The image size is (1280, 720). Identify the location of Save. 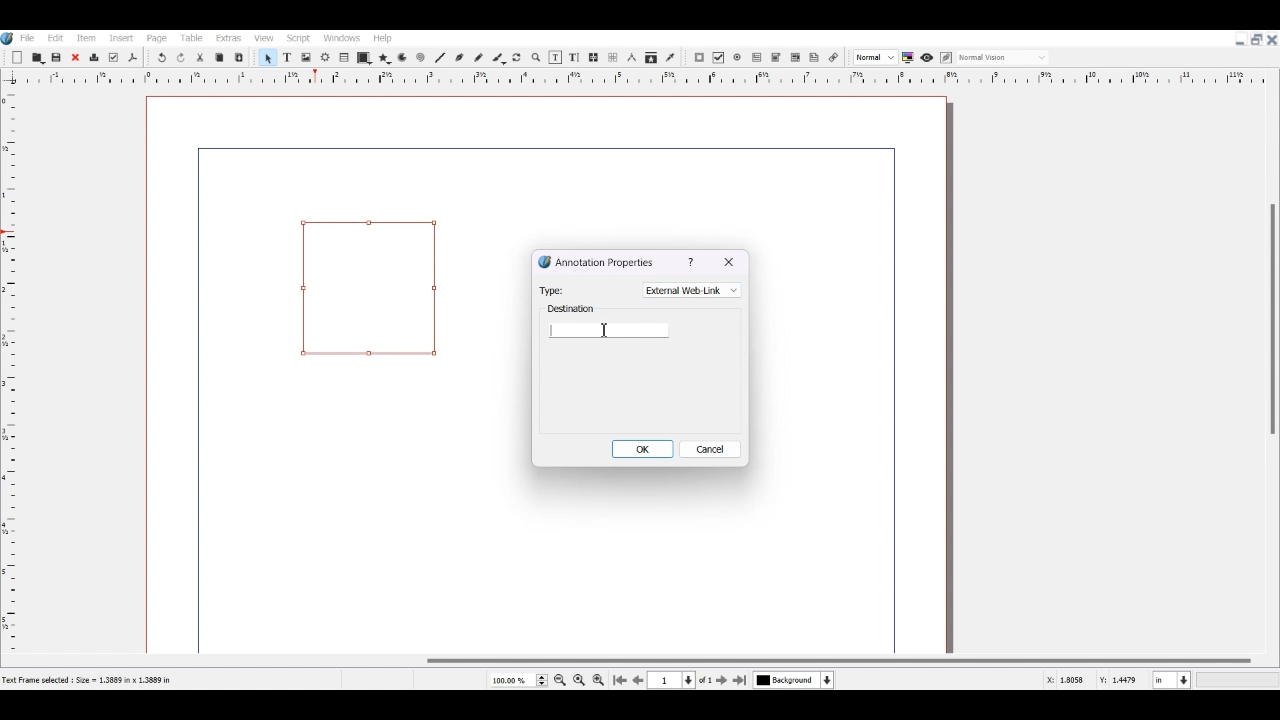
(58, 57).